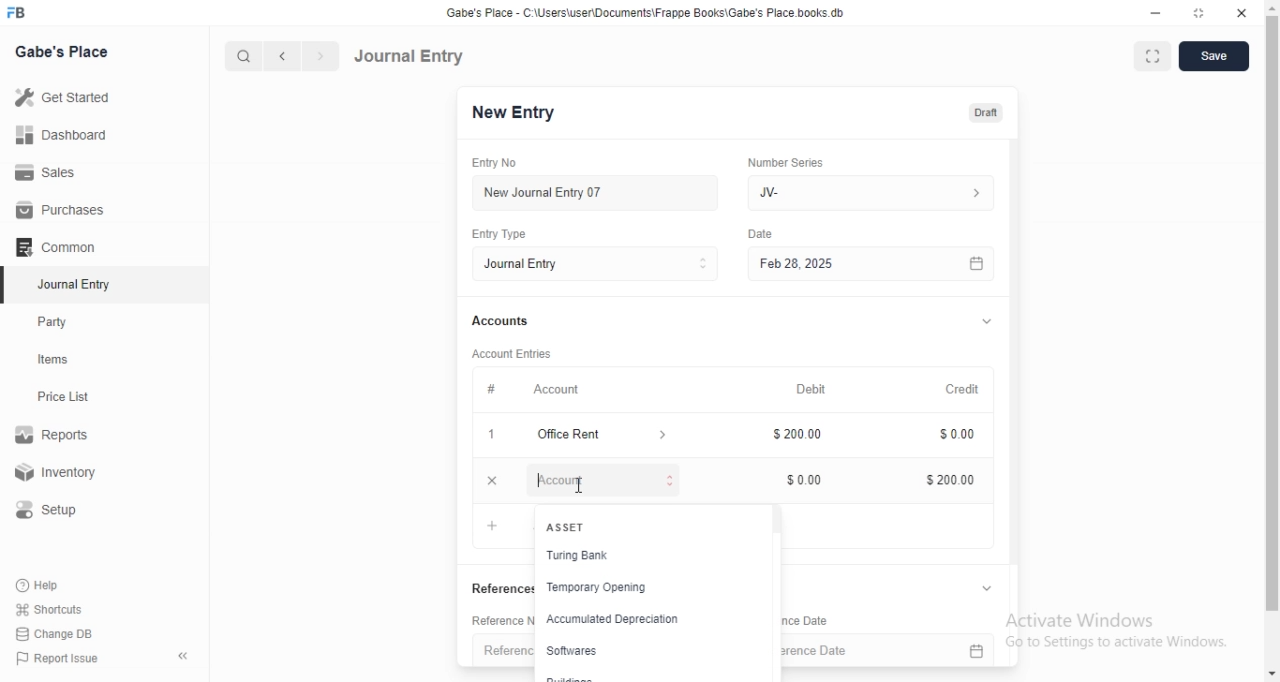 Image resolution: width=1280 pixels, height=682 pixels. Describe the element at coordinates (538, 390) in the screenshot. I see `# Account` at that location.